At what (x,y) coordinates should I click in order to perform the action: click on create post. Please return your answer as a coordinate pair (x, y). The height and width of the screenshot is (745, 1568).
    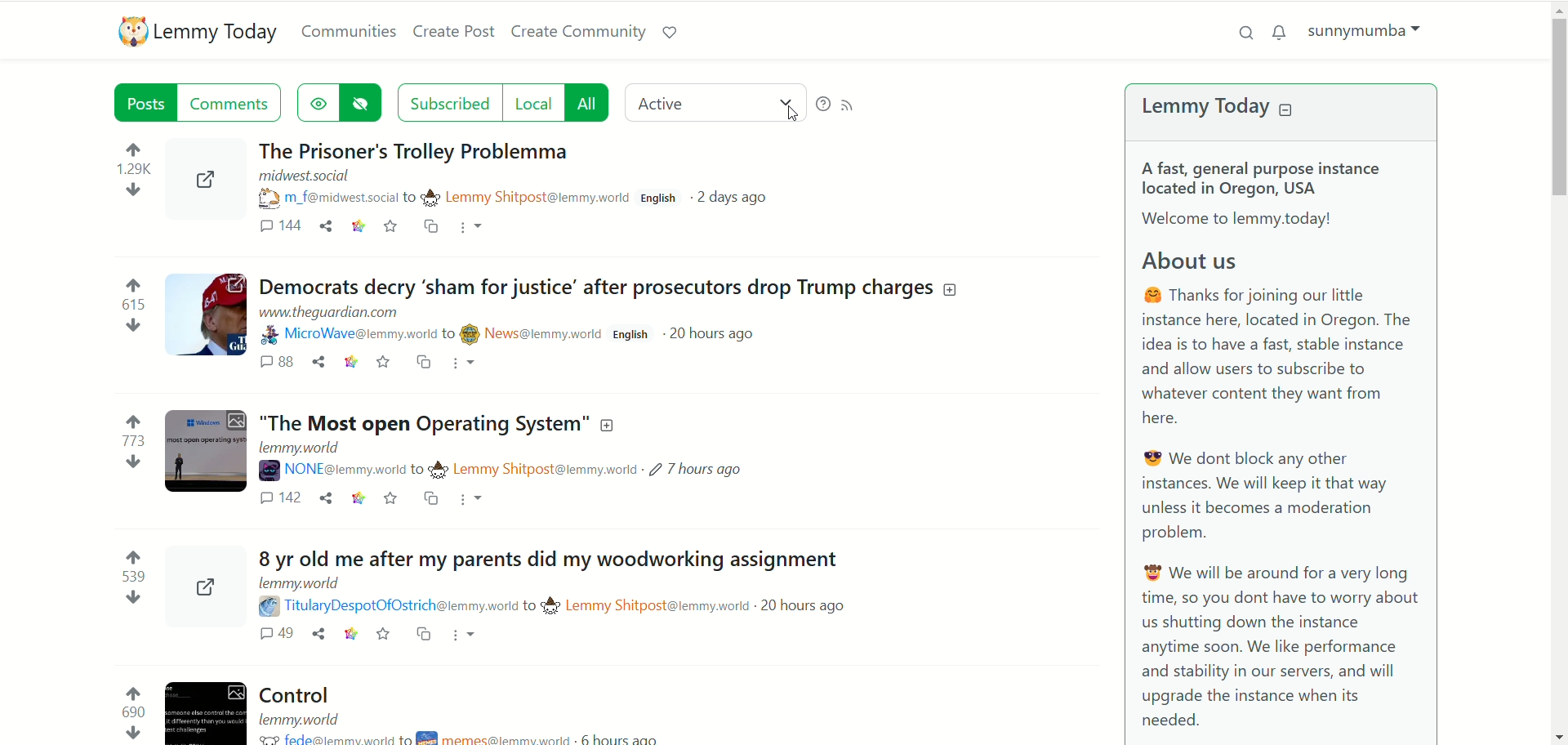
    Looking at the image, I should click on (457, 33).